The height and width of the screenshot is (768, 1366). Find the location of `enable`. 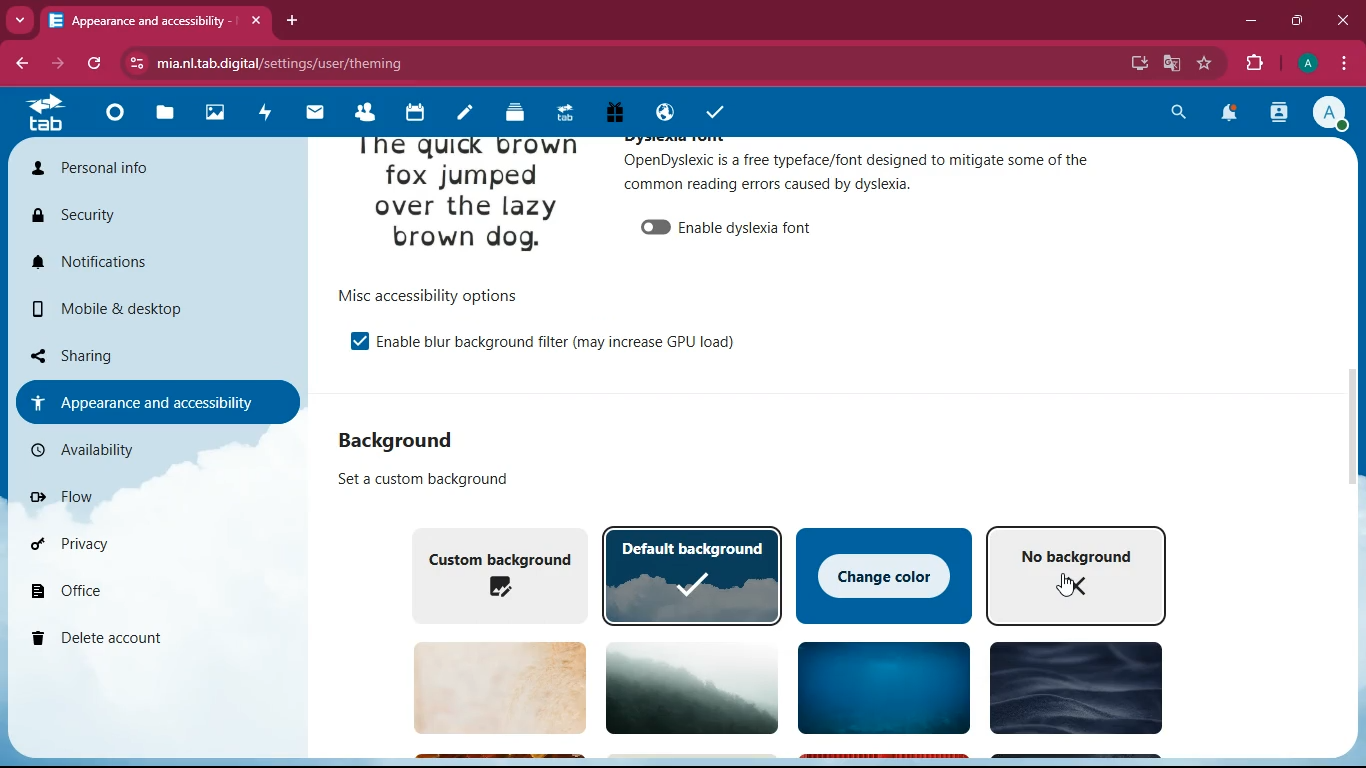

enable is located at coordinates (557, 340).